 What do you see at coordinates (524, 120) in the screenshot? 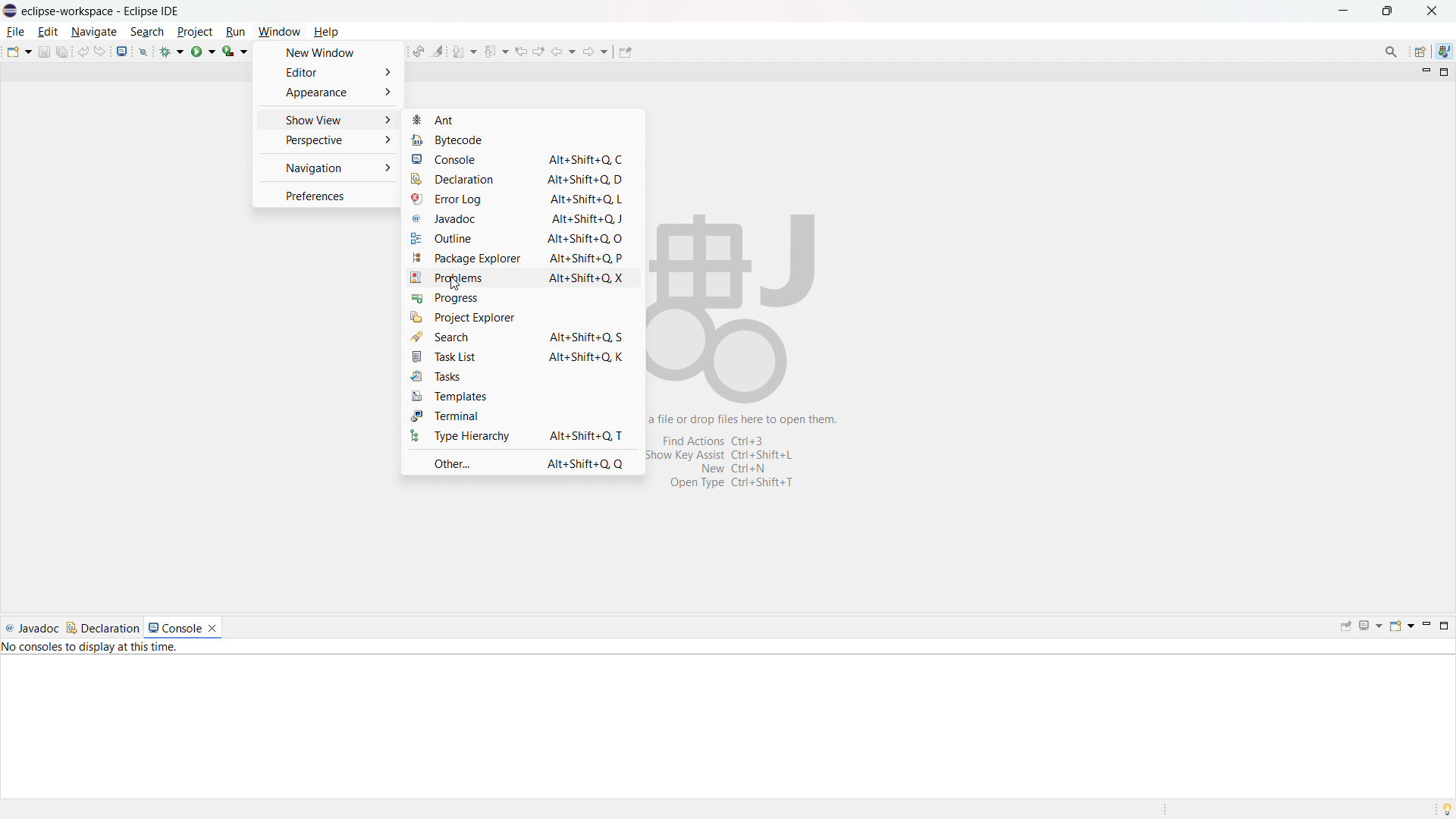
I see `ant` at bounding box center [524, 120].